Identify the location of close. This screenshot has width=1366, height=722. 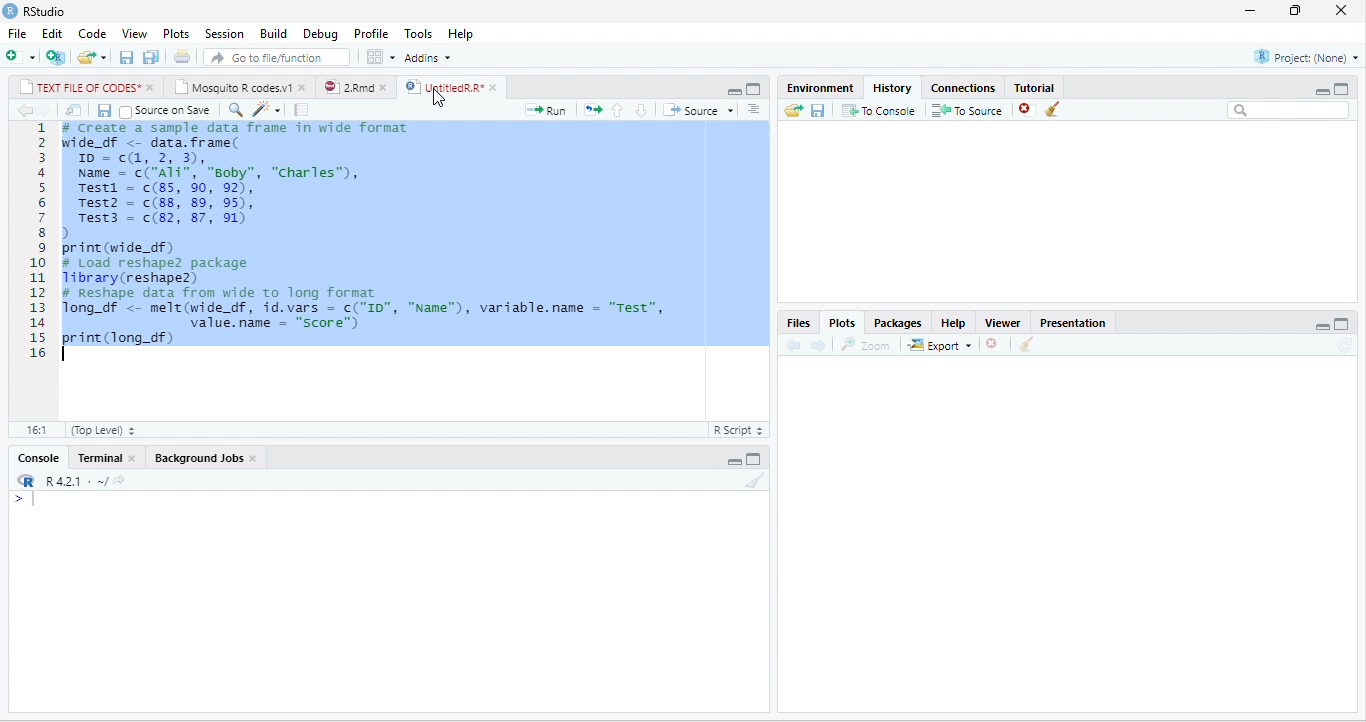
(1342, 10).